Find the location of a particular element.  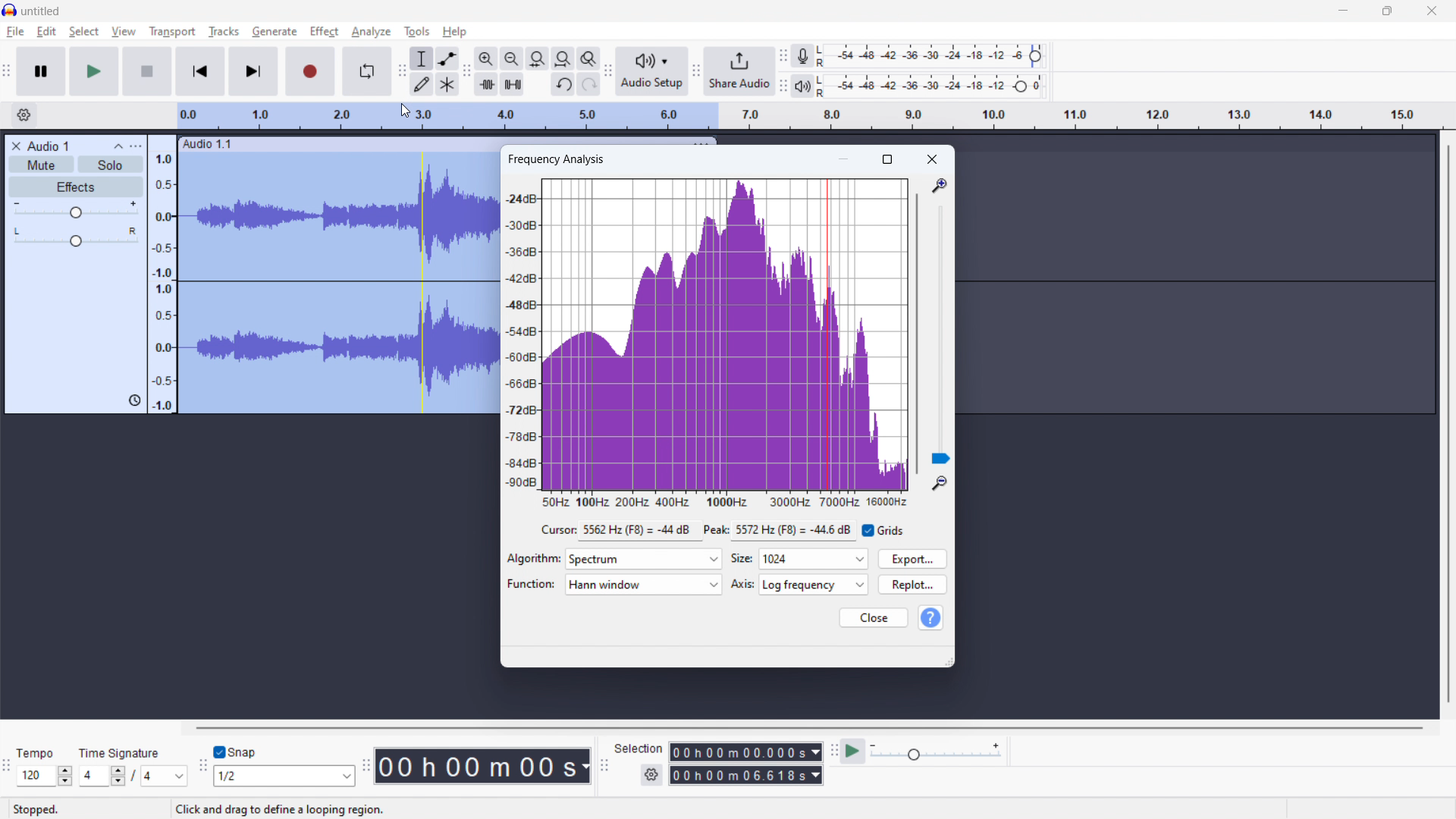

set tempo is located at coordinates (44, 777).